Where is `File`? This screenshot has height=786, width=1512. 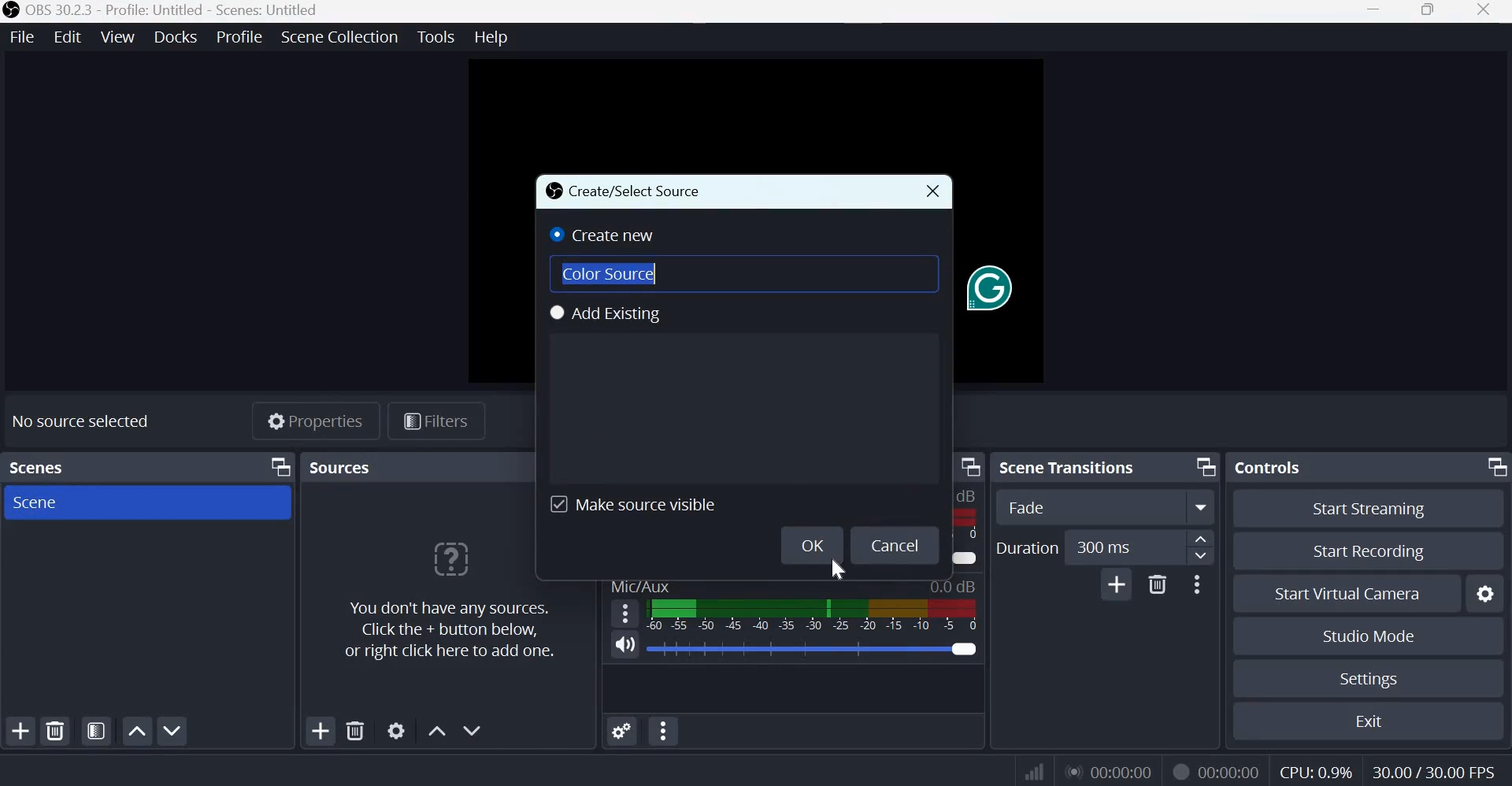 File is located at coordinates (26, 35).